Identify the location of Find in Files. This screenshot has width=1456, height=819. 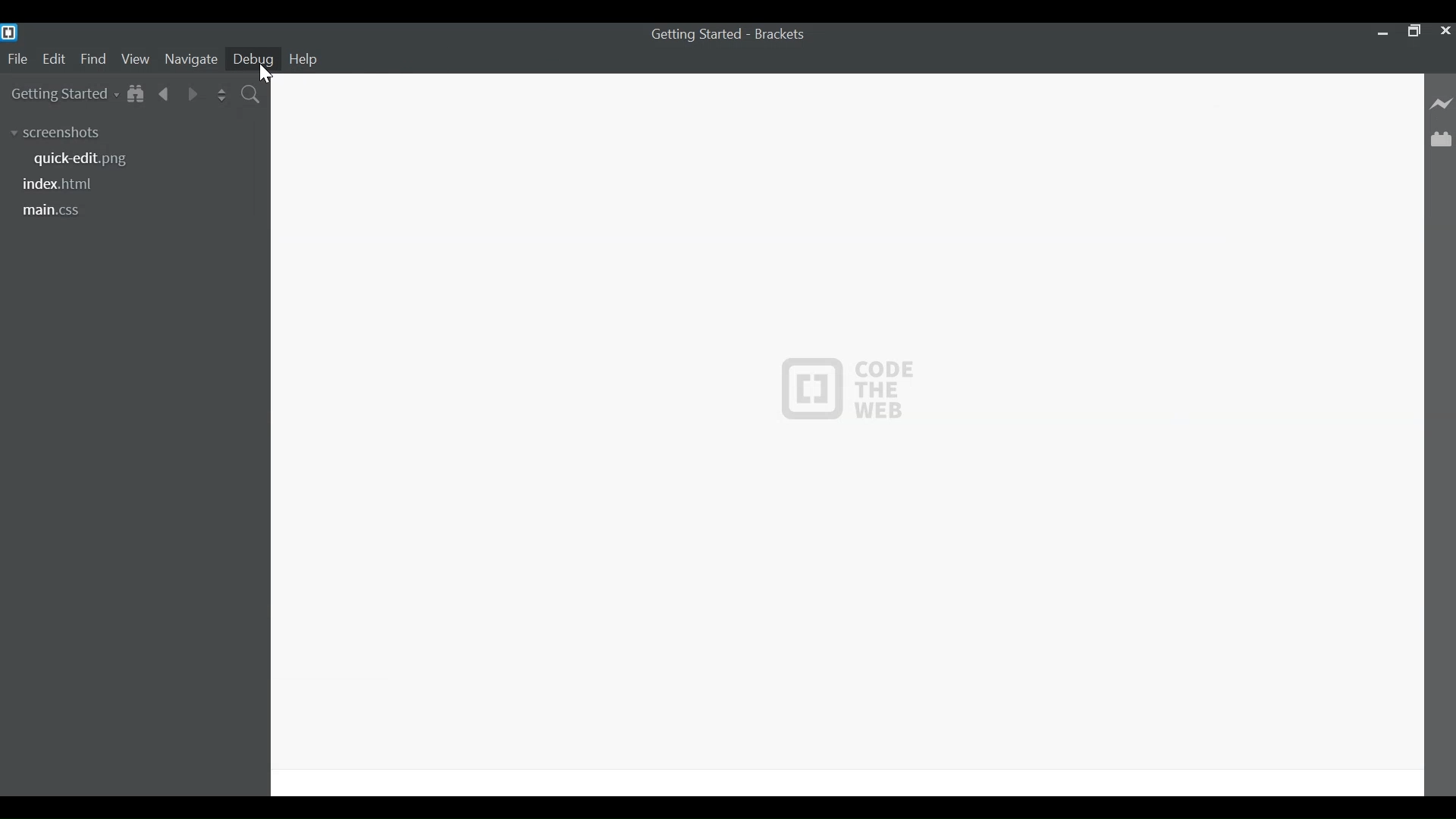
(253, 93).